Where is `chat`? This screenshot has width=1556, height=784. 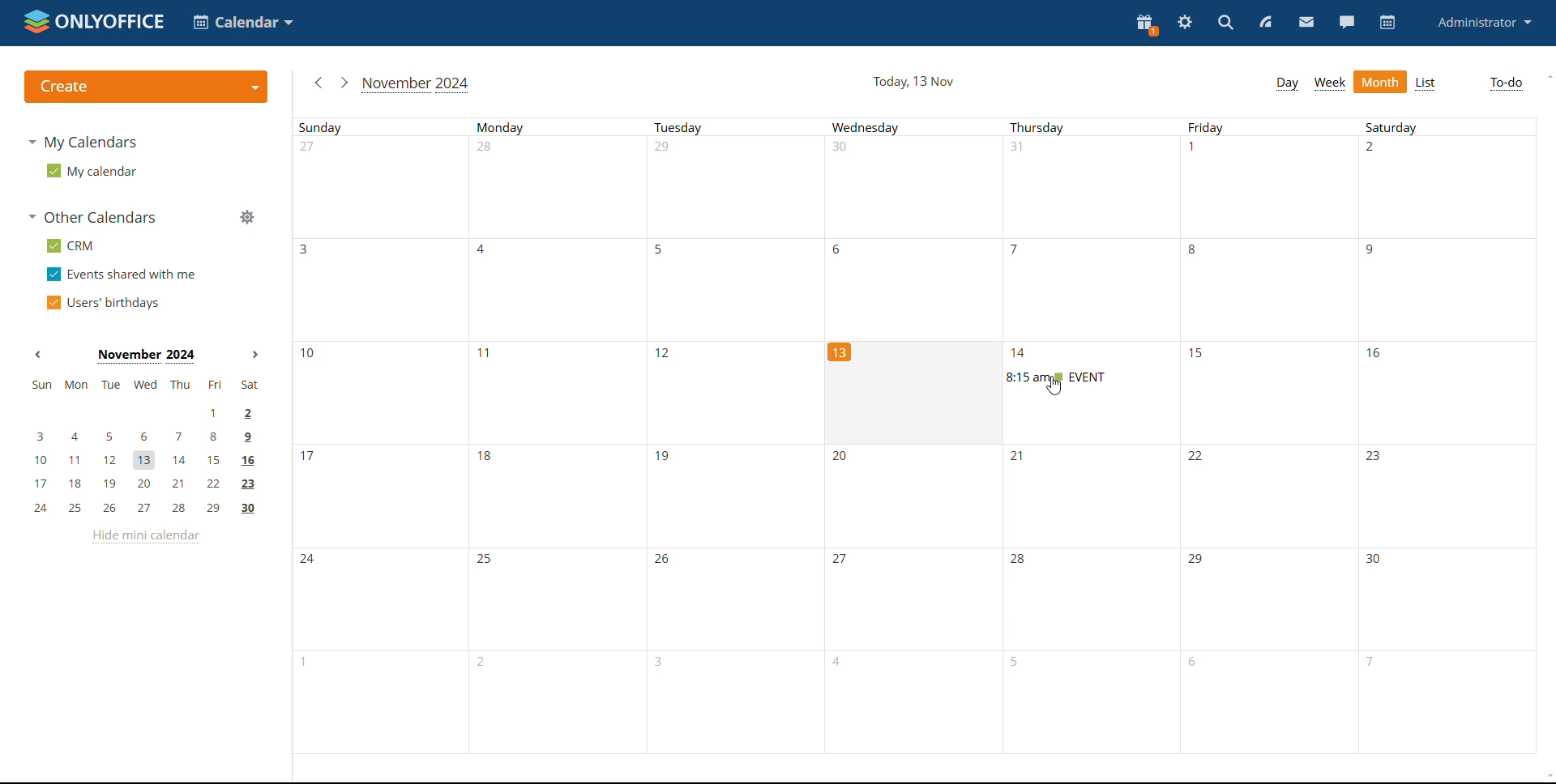 chat is located at coordinates (1346, 21).